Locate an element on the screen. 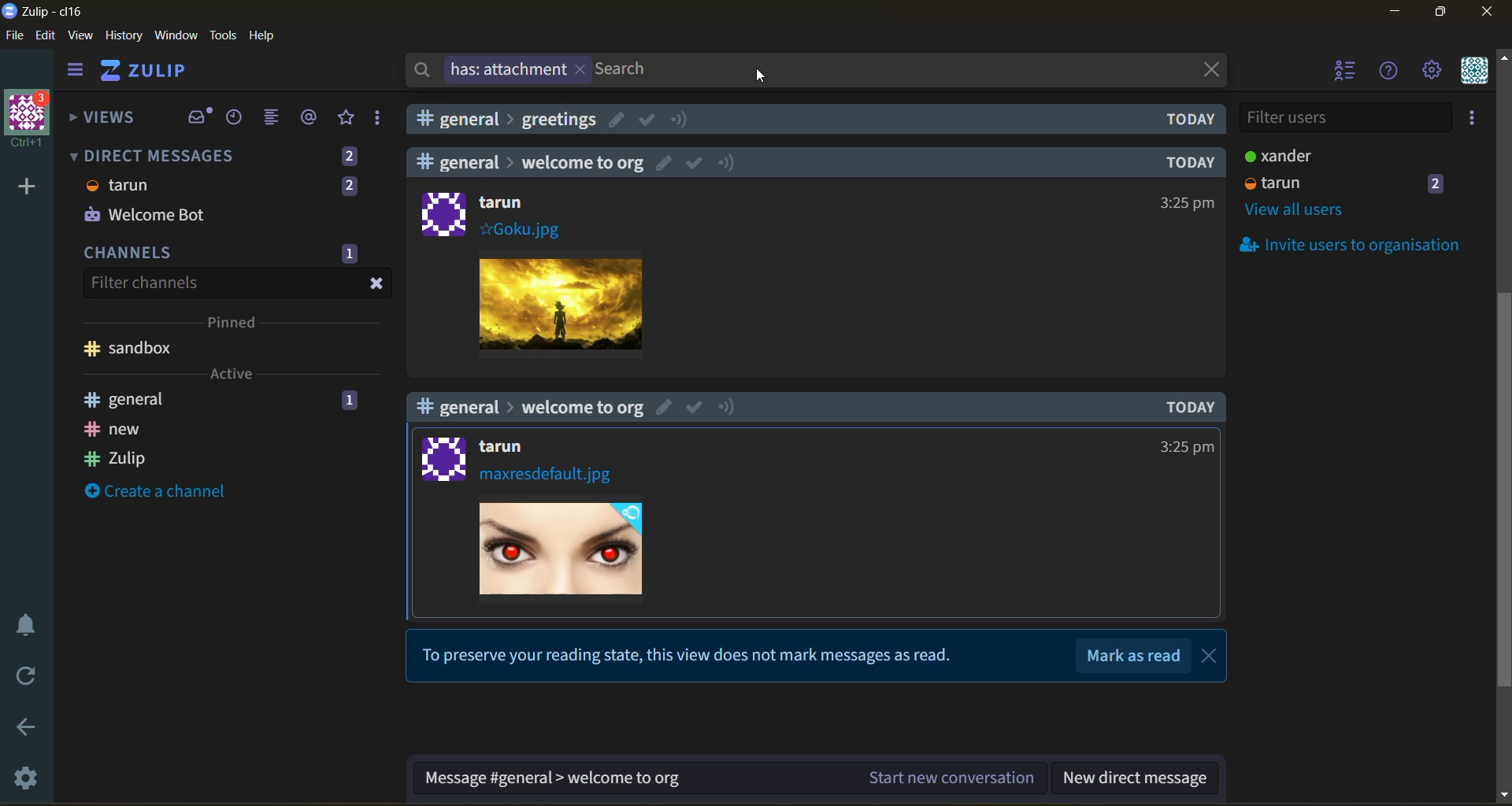 The height and width of the screenshot is (806, 1512). hide users list is located at coordinates (1342, 70).